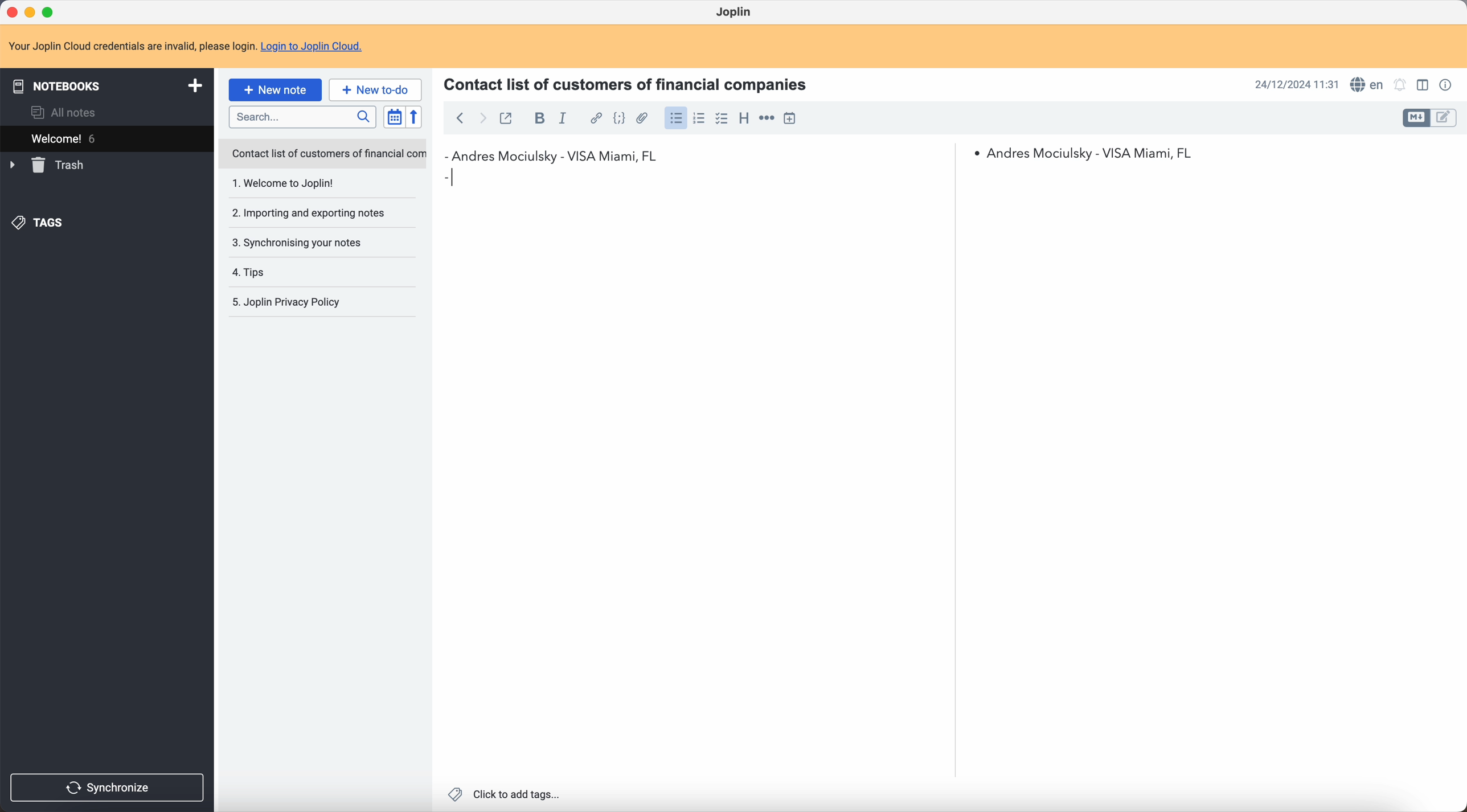 The image size is (1467, 812). What do you see at coordinates (675, 121) in the screenshot?
I see `click on bulleted list` at bounding box center [675, 121].